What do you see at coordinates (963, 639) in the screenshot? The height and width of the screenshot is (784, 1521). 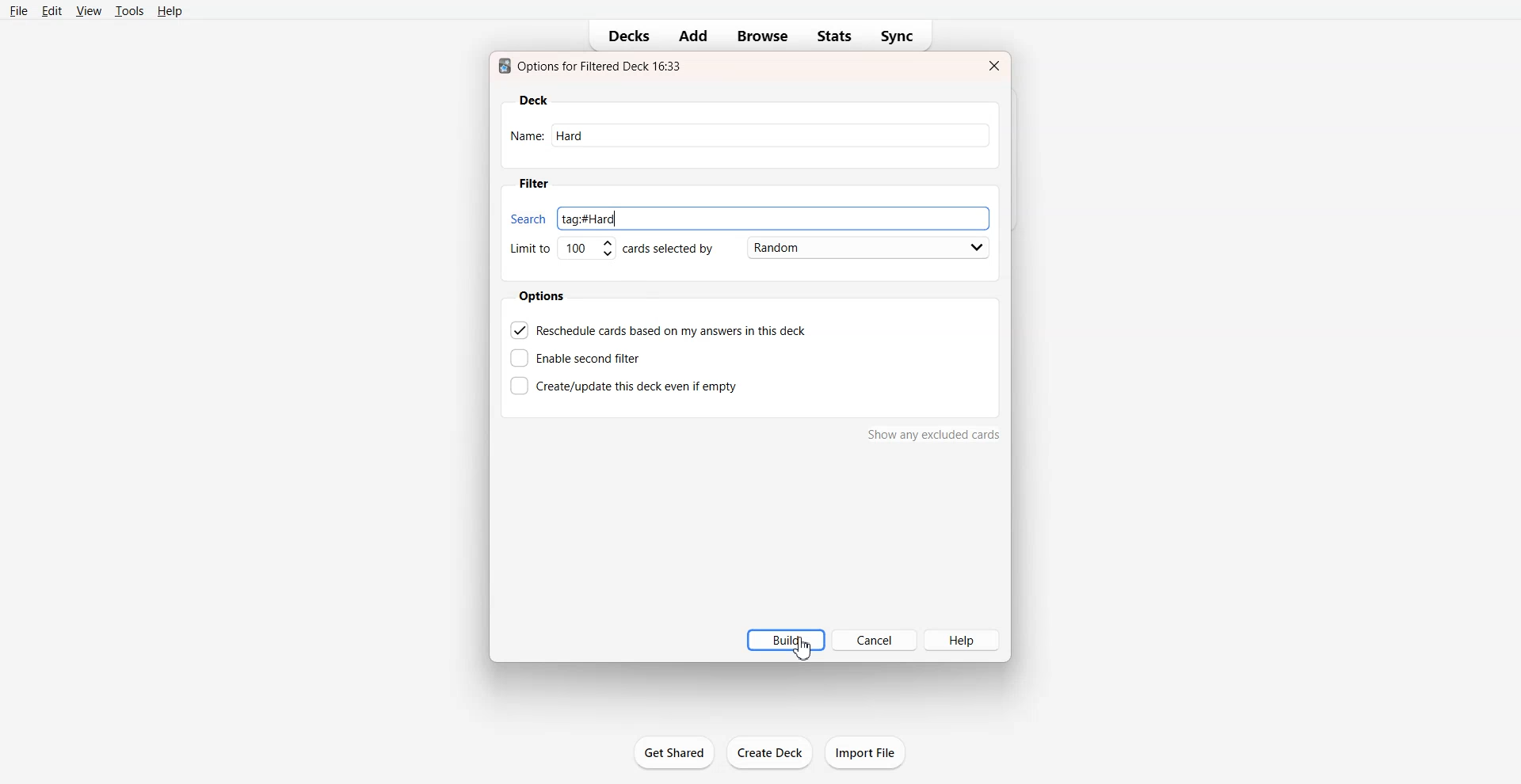 I see `Help` at bounding box center [963, 639].